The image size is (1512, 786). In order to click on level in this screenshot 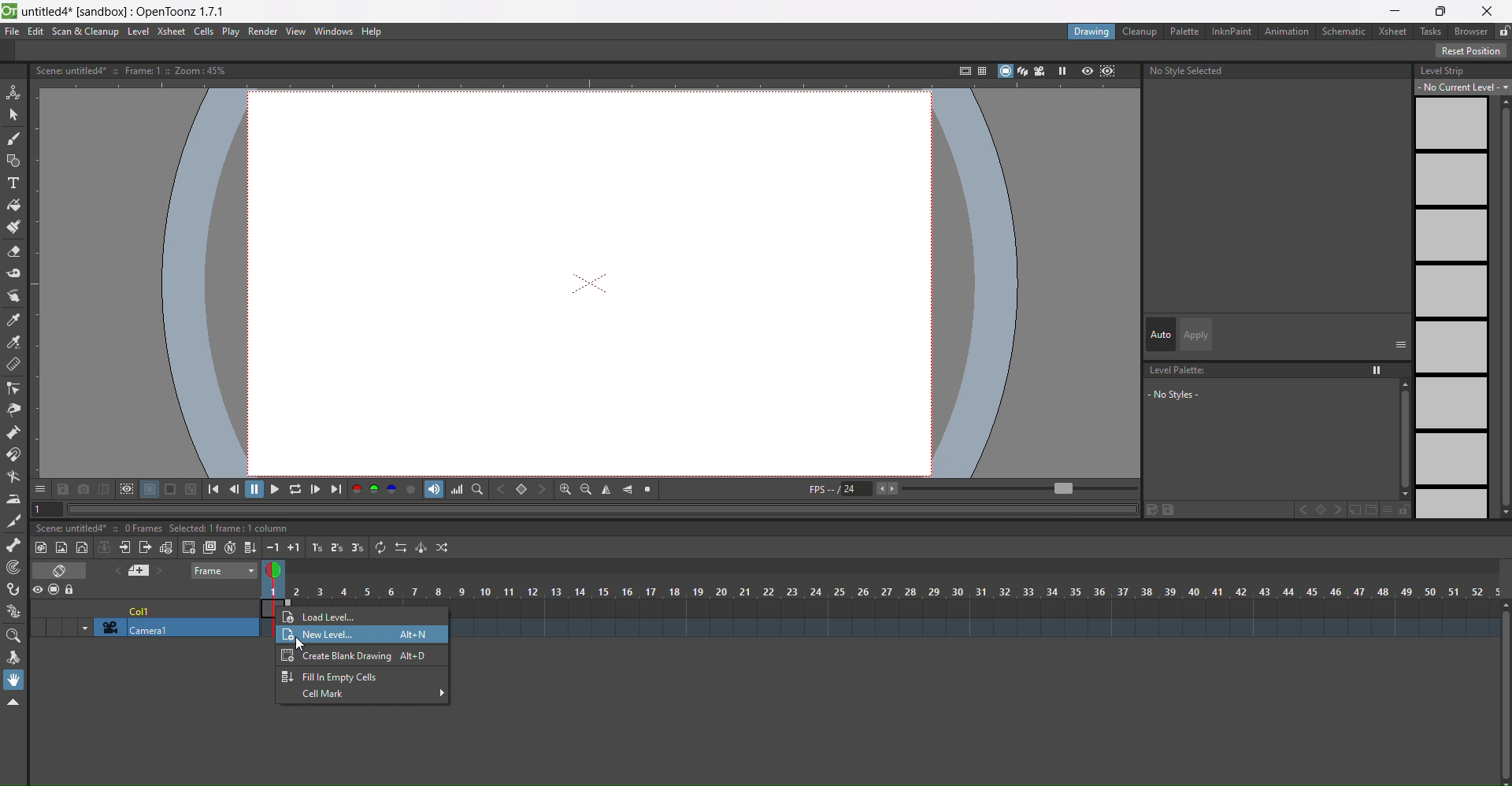, I will do `click(138, 32)`.